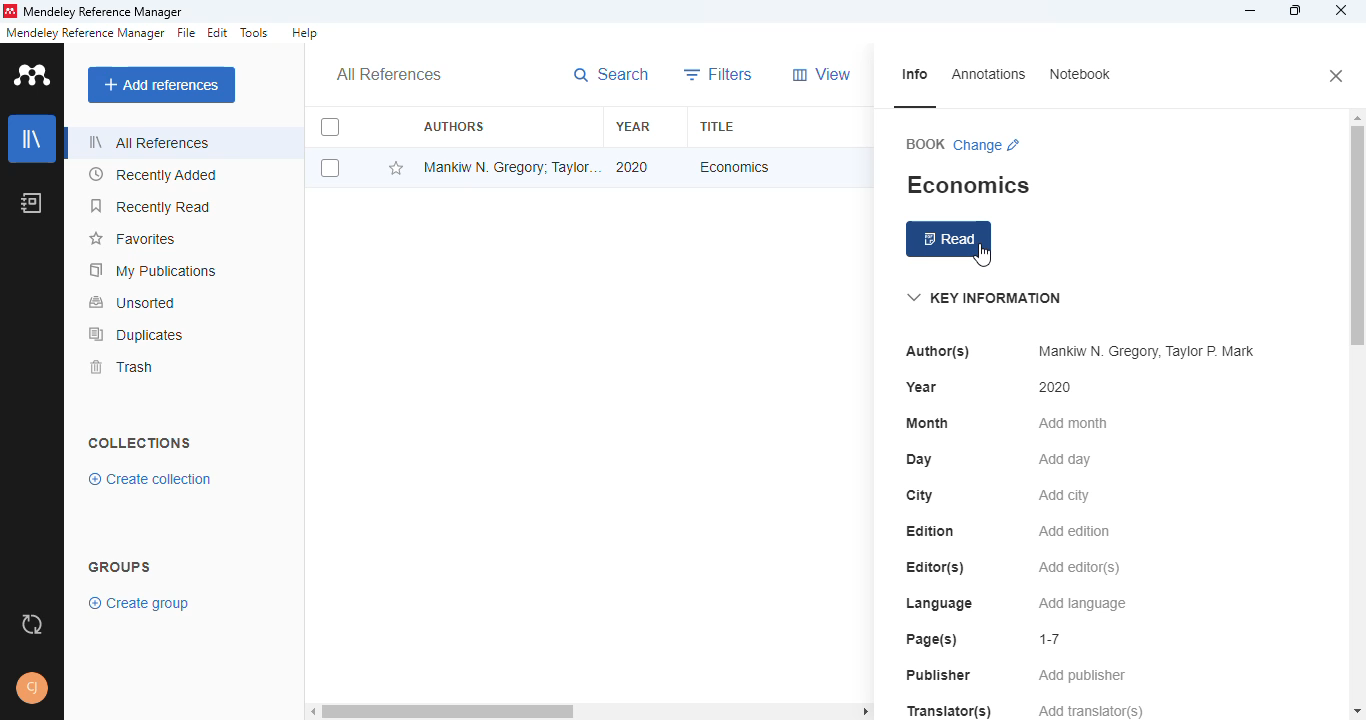 This screenshot has width=1366, height=720. Describe the element at coordinates (305, 33) in the screenshot. I see `help` at that location.